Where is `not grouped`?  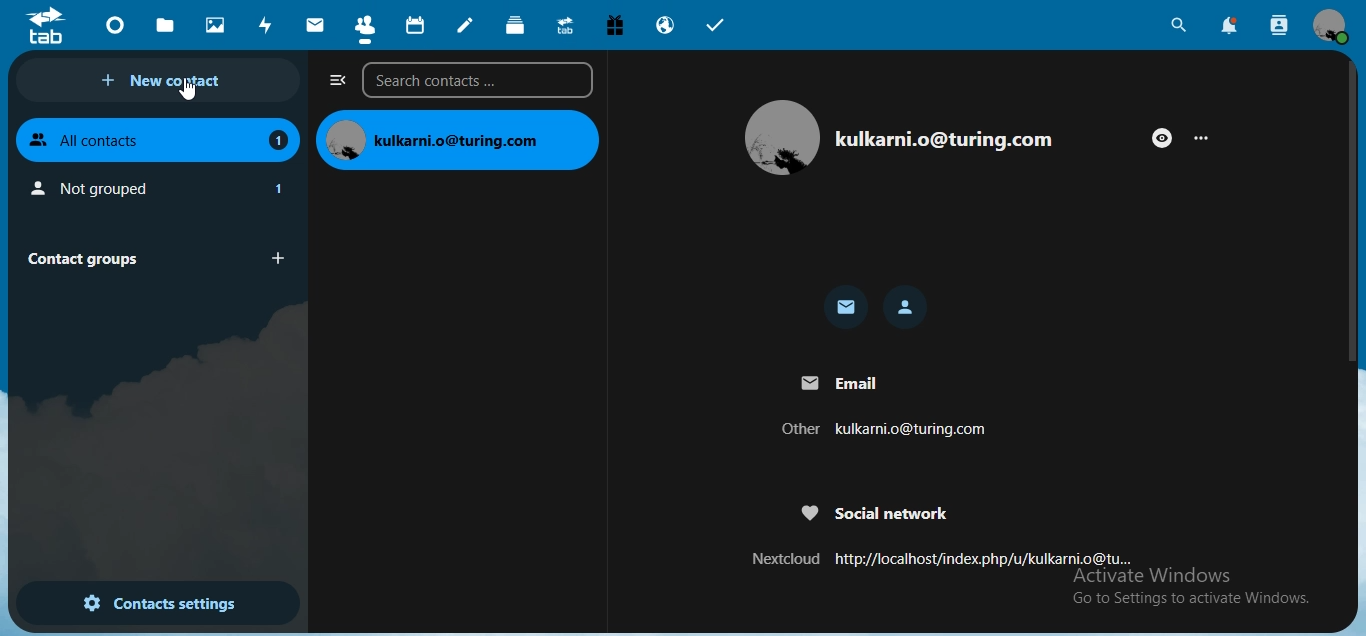
not grouped is located at coordinates (161, 188).